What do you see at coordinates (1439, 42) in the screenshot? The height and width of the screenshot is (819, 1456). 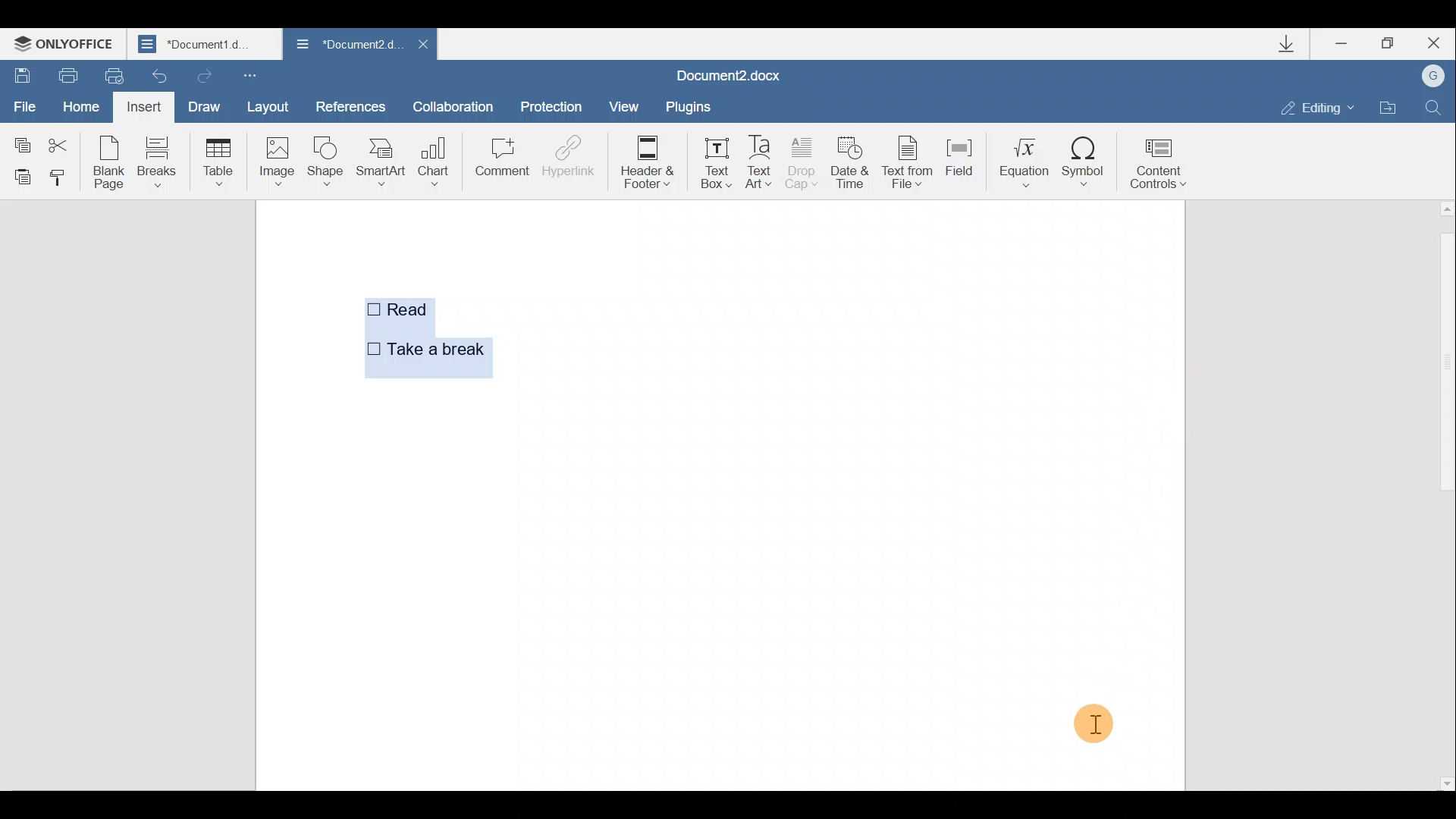 I see `Close` at bounding box center [1439, 42].